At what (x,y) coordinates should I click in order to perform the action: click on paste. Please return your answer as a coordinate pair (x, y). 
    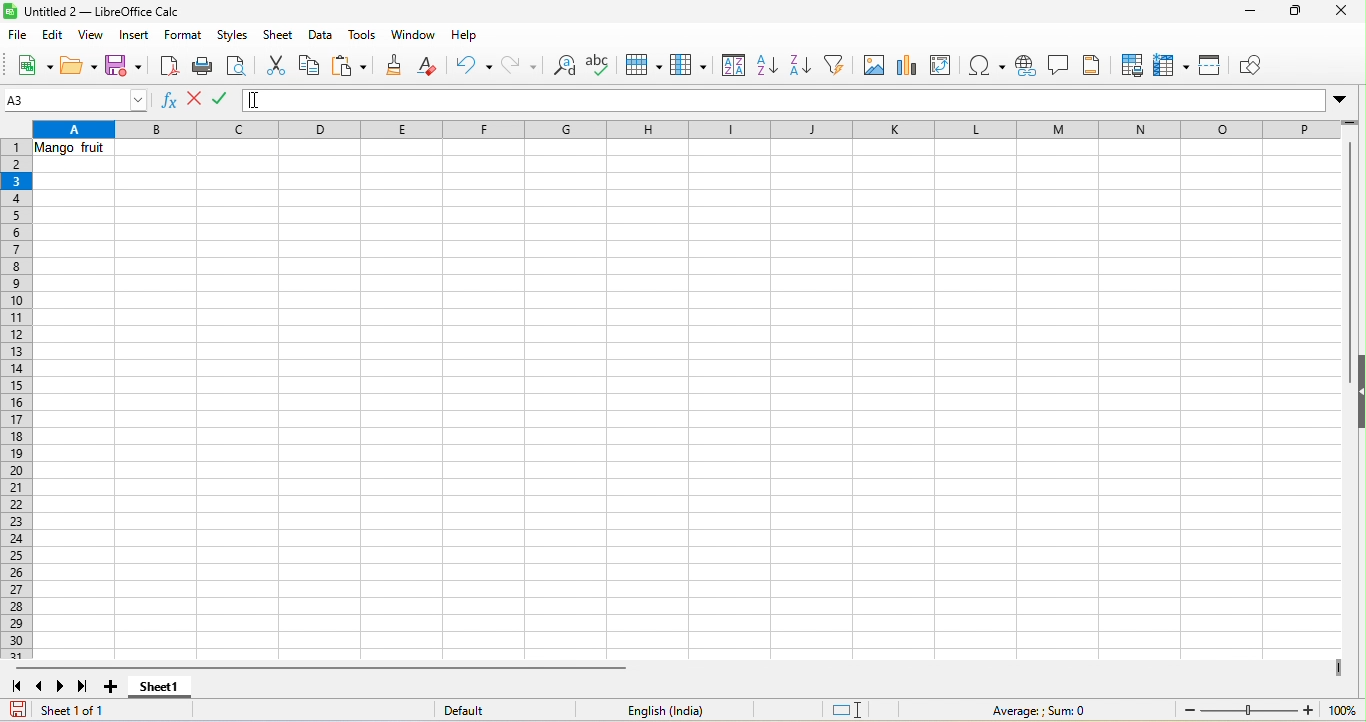
    Looking at the image, I should click on (350, 67).